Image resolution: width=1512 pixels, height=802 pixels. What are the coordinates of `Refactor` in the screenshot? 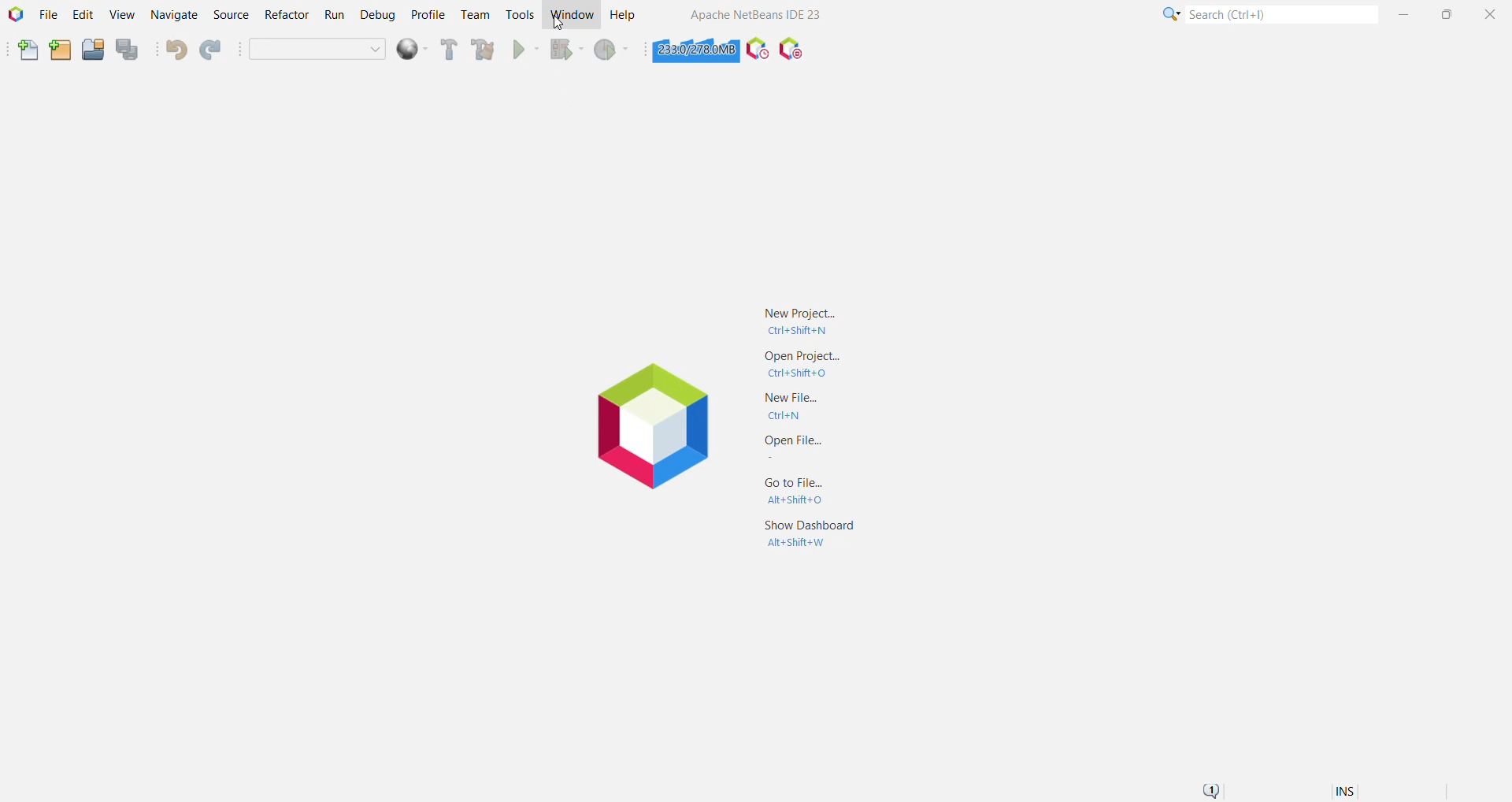 It's located at (284, 16).